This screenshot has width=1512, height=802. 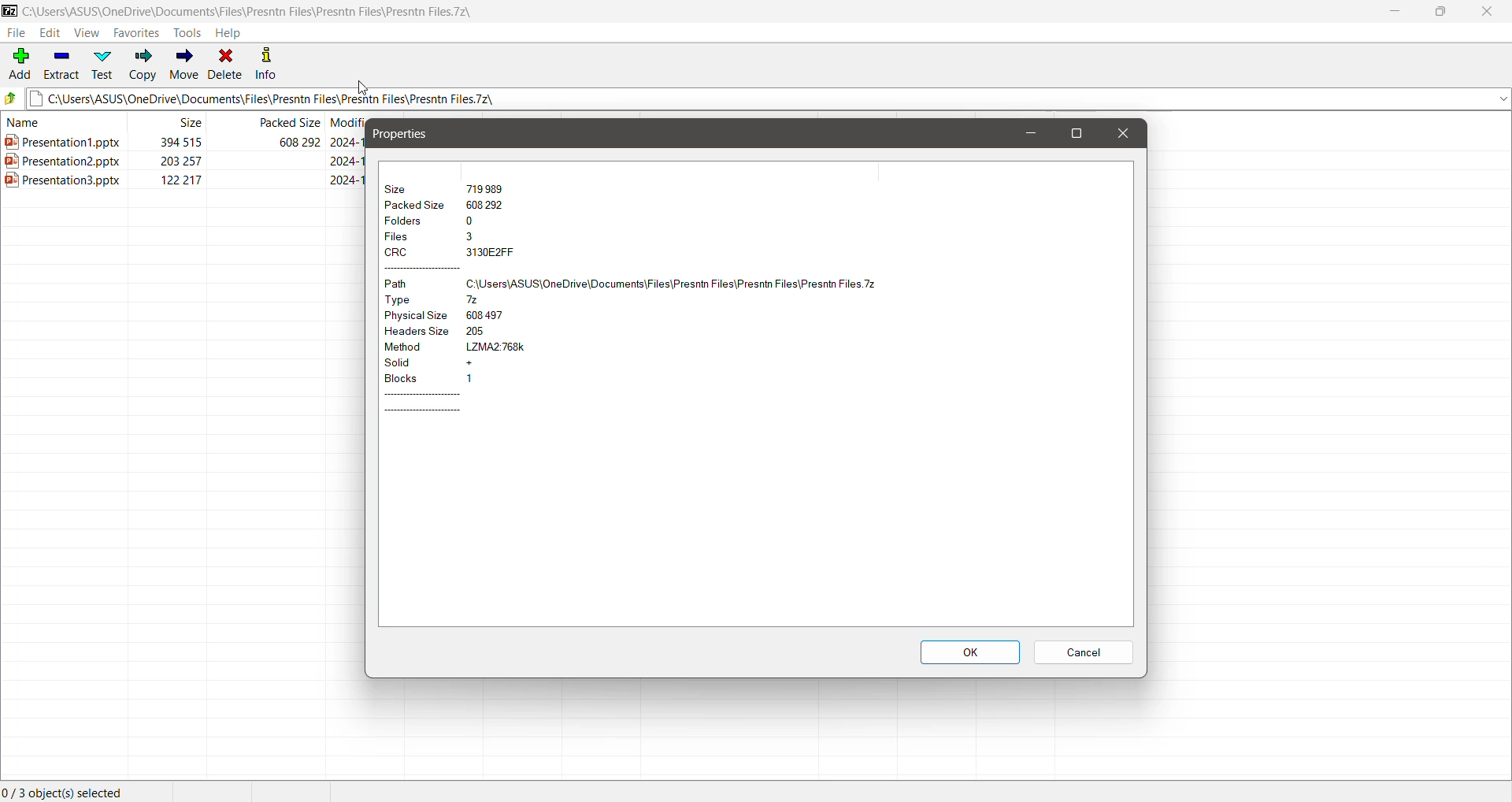 What do you see at coordinates (412, 365) in the screenshot?
I see `Solid ` at bounding box center [412, 365].